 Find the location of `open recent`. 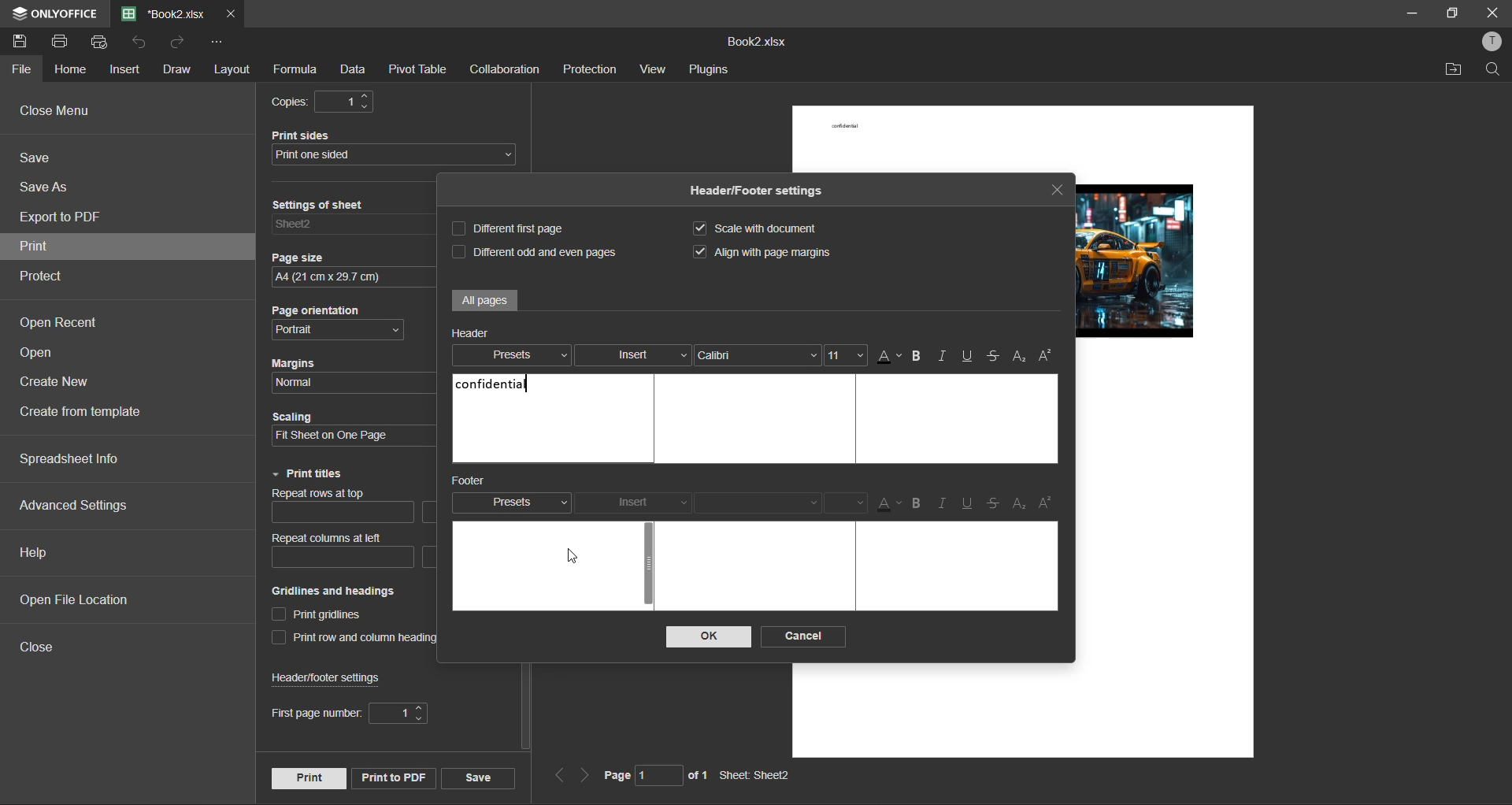

open recent is located at coordinates (58, 319).